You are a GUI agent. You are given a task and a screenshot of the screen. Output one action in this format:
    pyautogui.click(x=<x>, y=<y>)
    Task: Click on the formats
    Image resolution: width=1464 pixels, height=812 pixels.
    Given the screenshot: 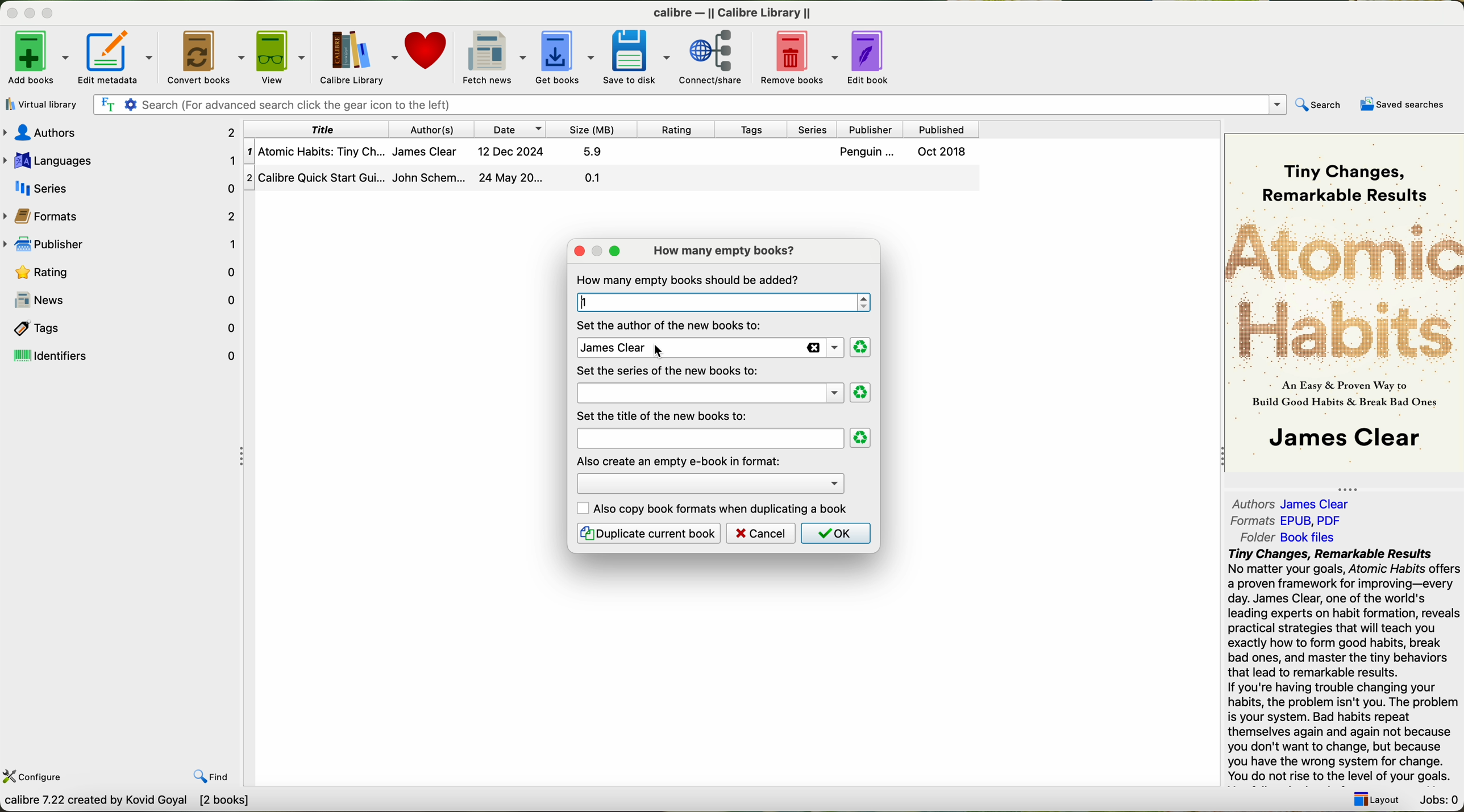 What is the action you would take?
    pyautogui.click(x=1287, y=520)
    